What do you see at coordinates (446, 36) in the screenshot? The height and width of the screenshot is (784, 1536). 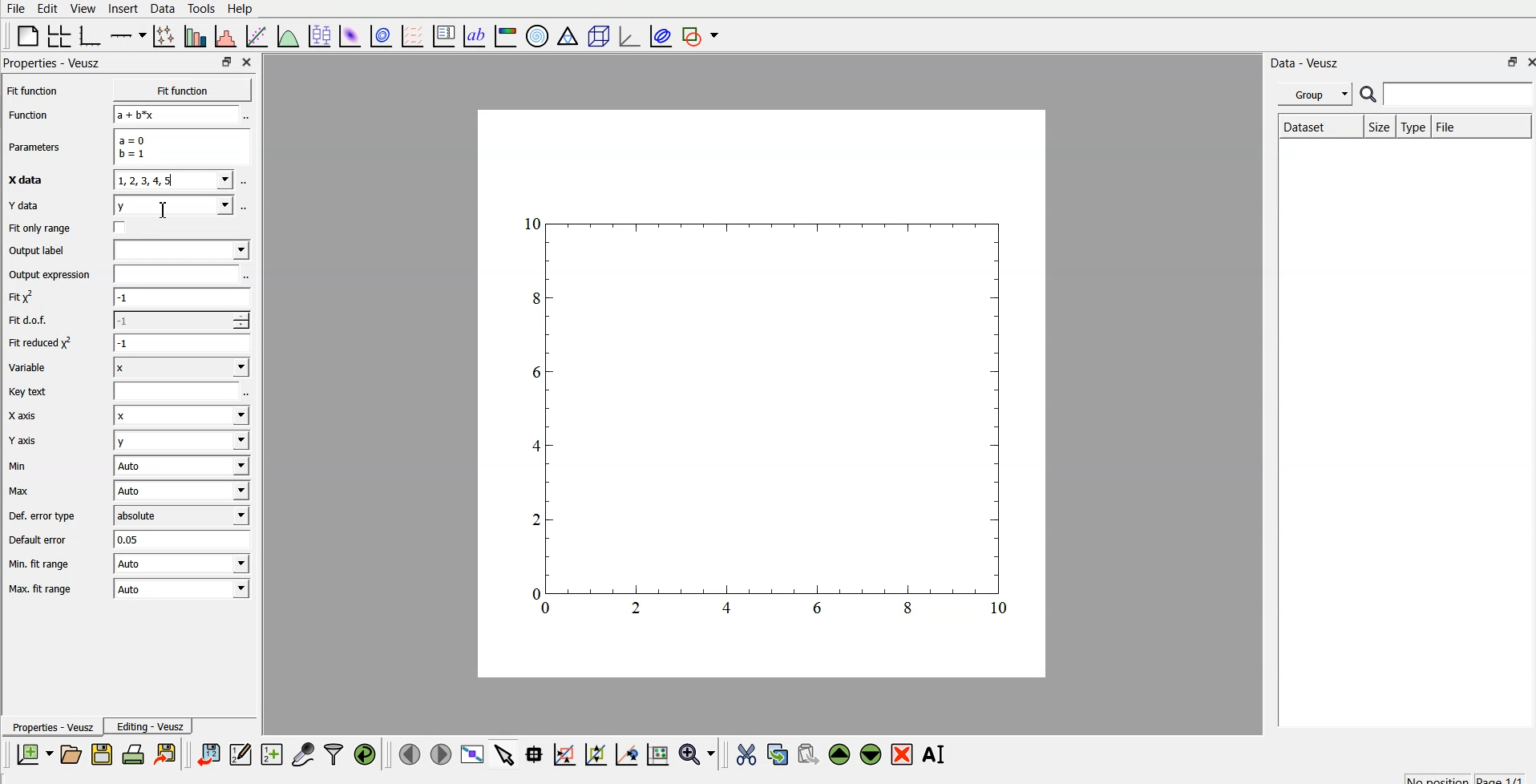 I see `plot key` at bounding box center [446, 36].